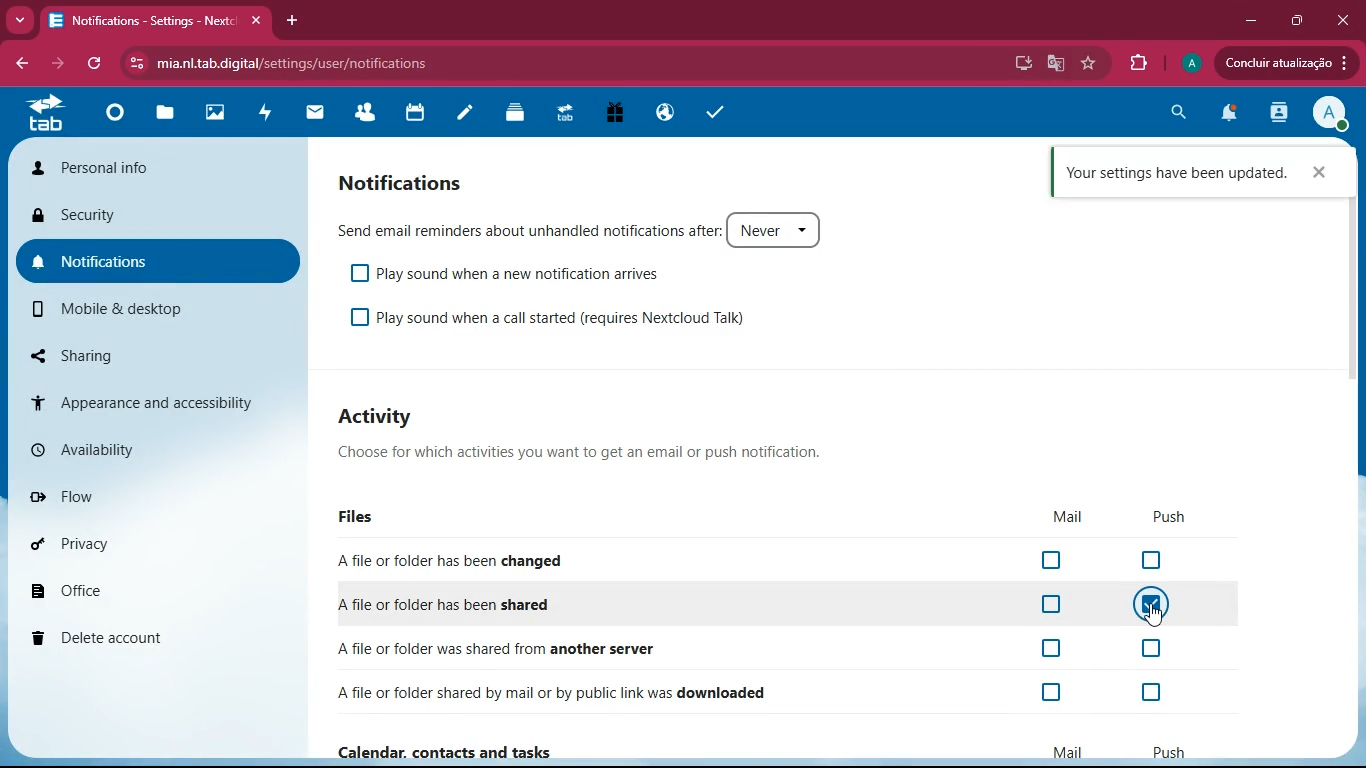 Image resolution: width=1366 pixels, height=768 pixels. I want to click on tab, so click(44, 112).